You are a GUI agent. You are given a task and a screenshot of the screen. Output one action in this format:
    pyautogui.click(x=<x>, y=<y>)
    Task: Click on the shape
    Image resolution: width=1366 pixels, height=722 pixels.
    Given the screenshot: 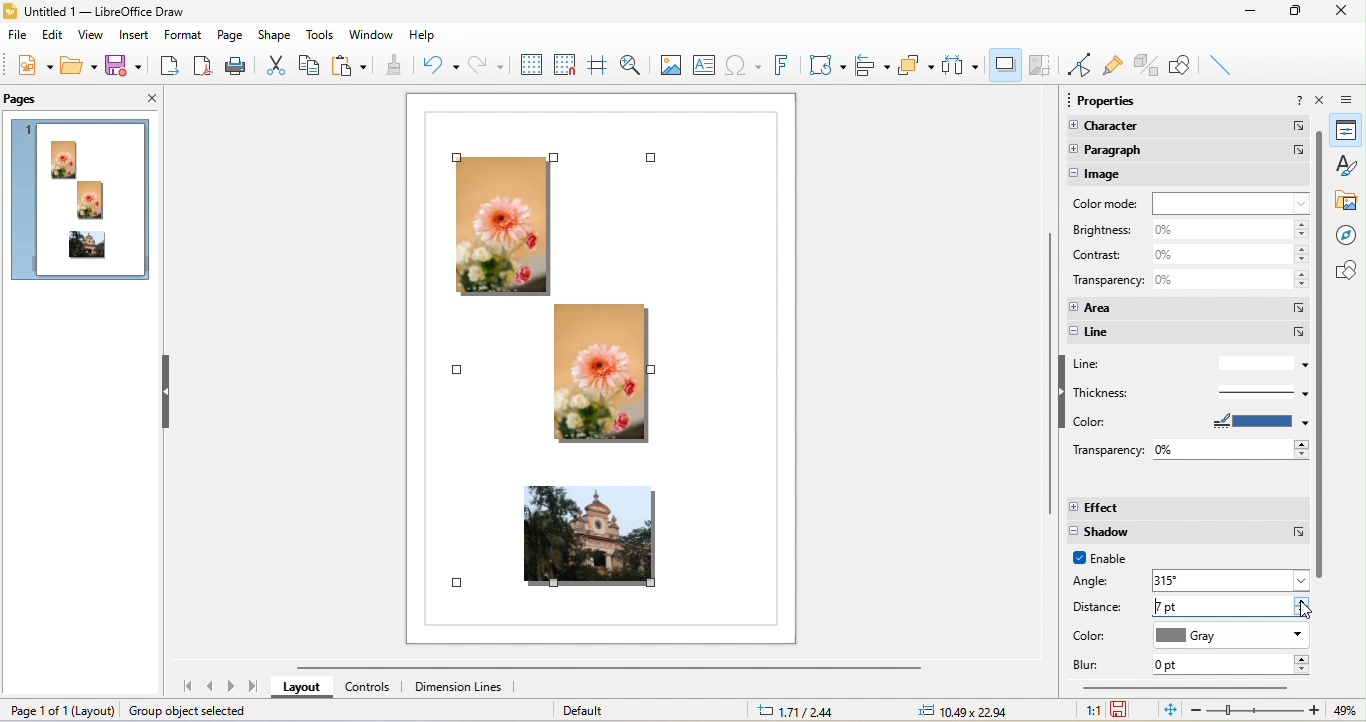 What is the action you would take?
    pyautogui.click(x=278, y=34)
    